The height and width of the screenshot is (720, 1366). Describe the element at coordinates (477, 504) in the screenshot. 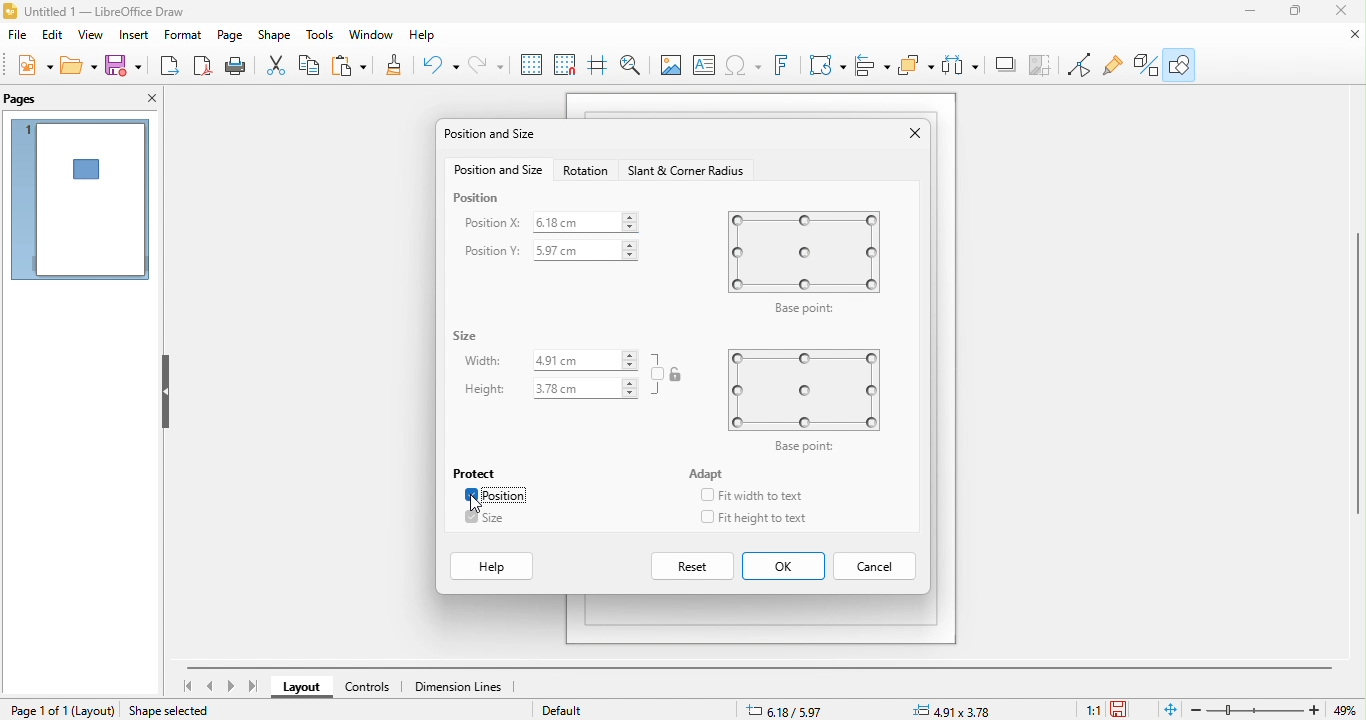

I see `cursor movement` at that location.